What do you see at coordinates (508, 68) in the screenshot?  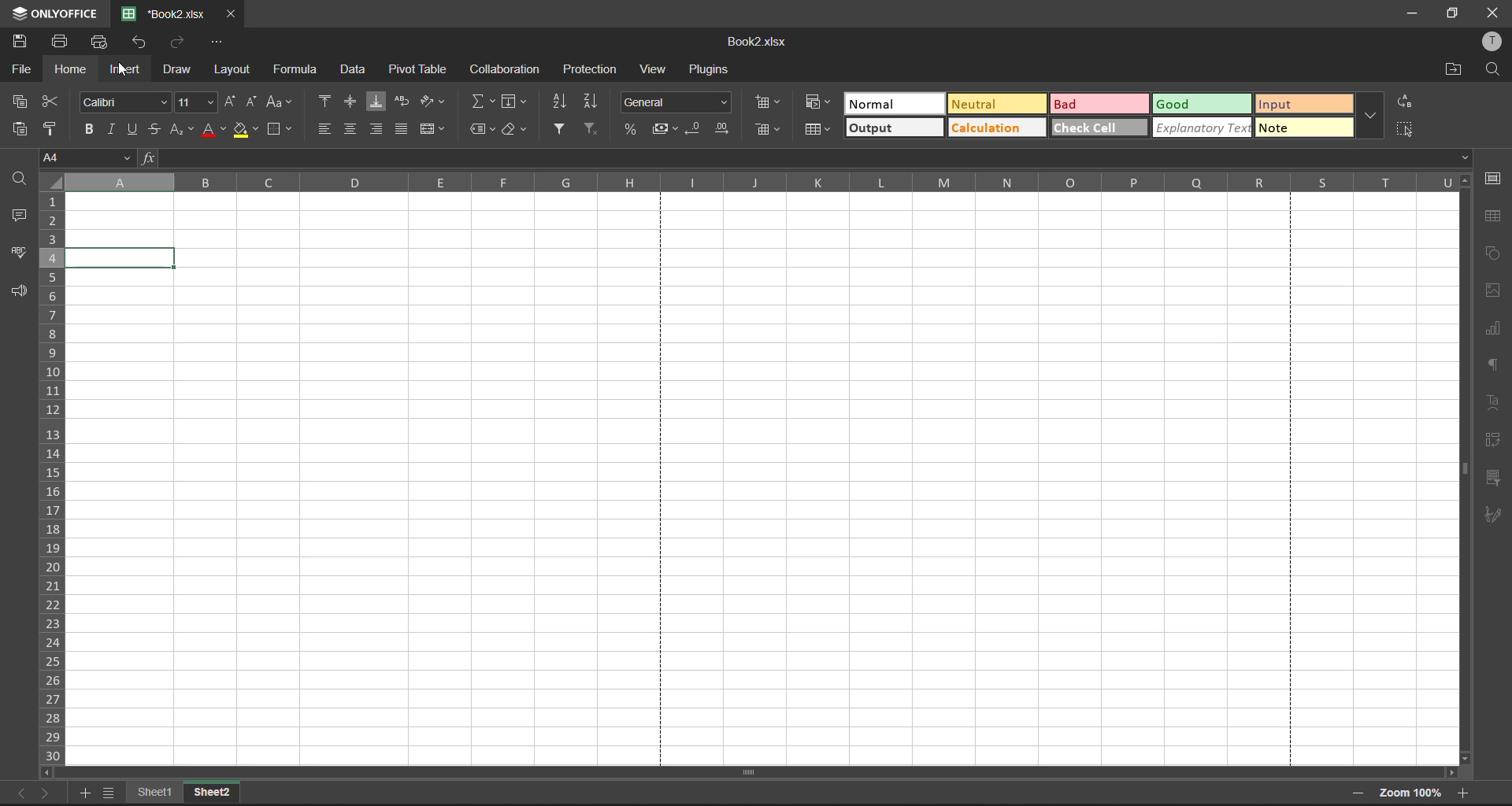 I see `collaboration` at bounding box center [508, 68].